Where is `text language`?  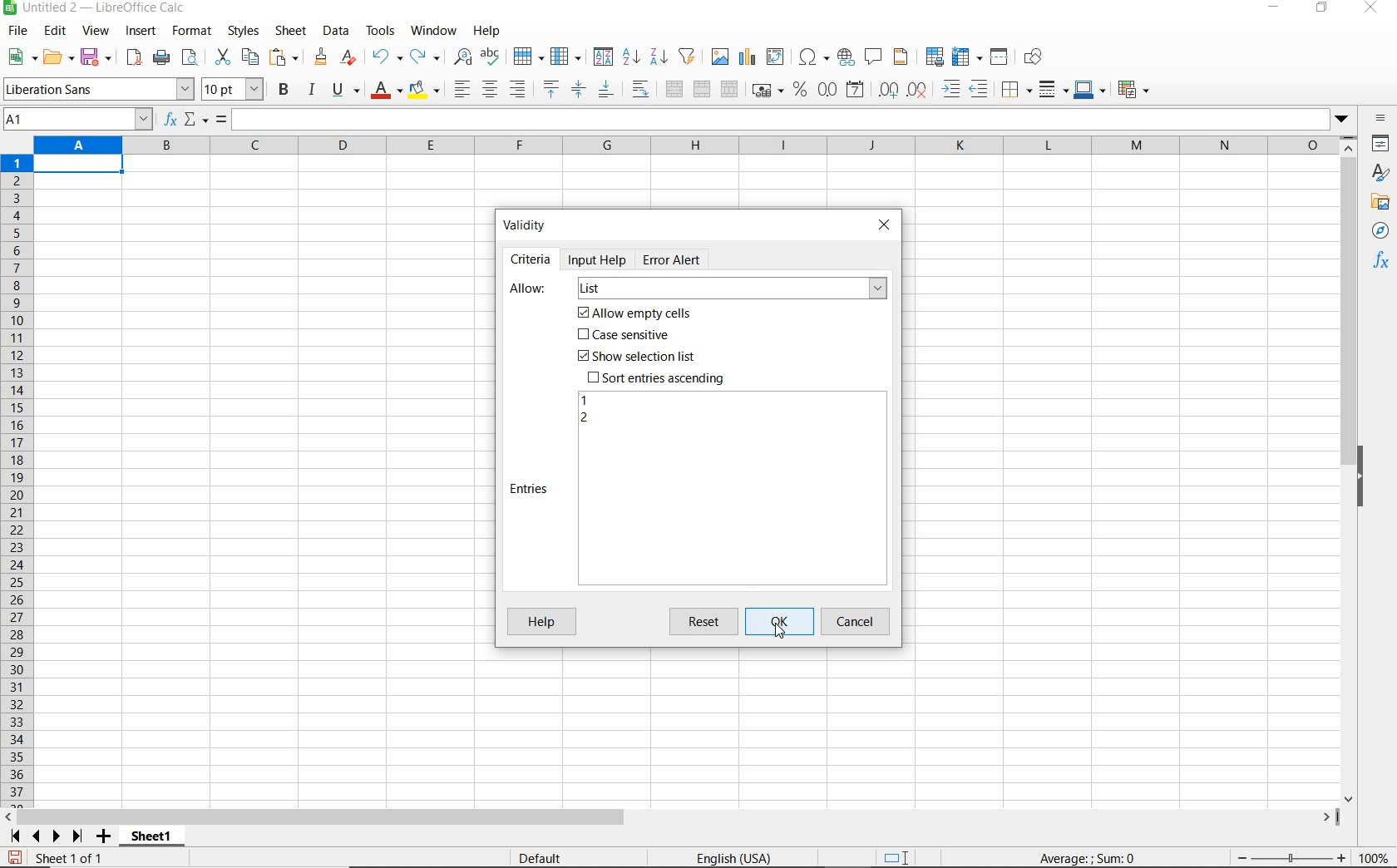
text language is located at coordinates (732, 860).